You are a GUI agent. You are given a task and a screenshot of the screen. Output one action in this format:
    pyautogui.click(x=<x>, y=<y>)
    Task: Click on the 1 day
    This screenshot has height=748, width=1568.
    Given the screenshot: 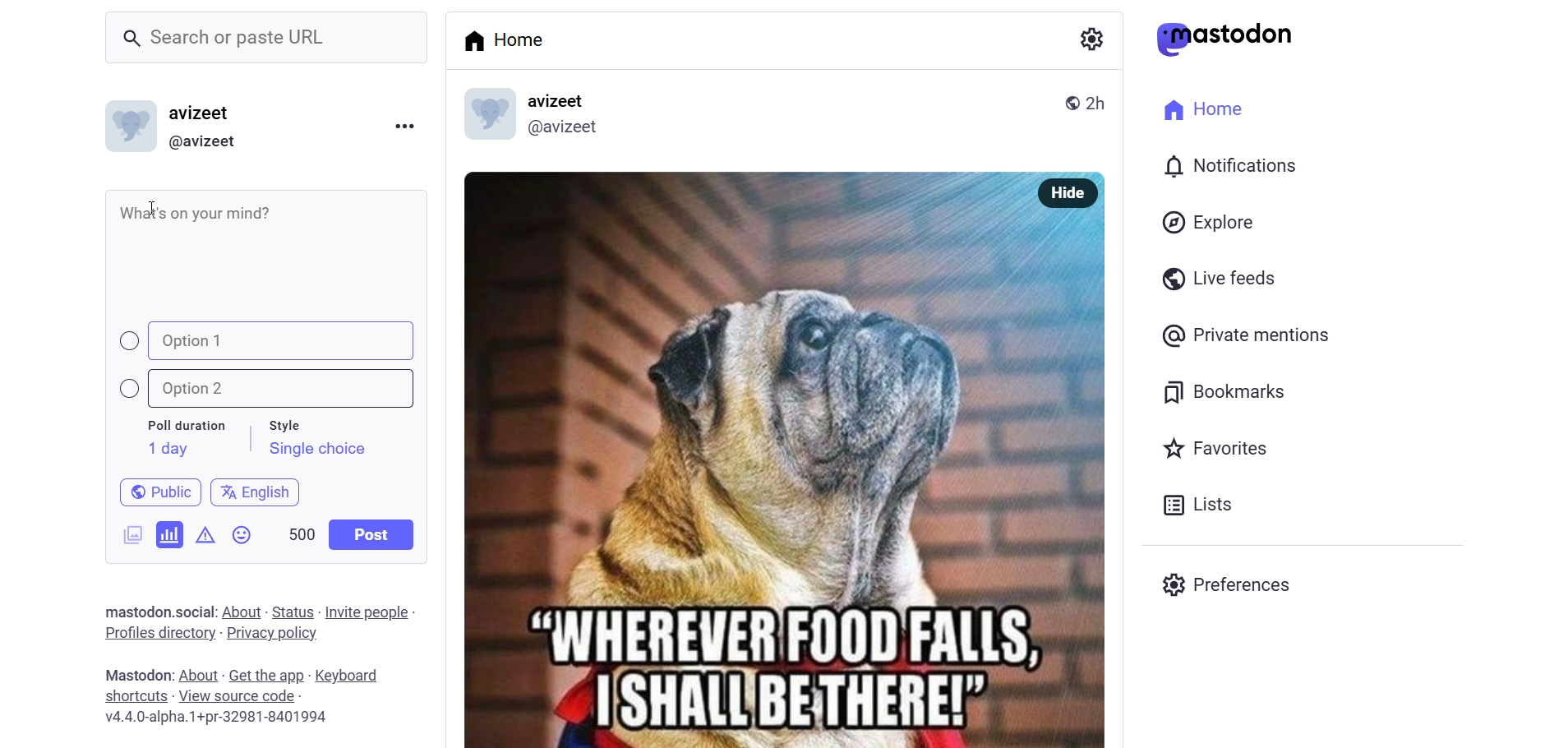 What is the action you would take?
    pyautogui.click(x=165, y=449)
    